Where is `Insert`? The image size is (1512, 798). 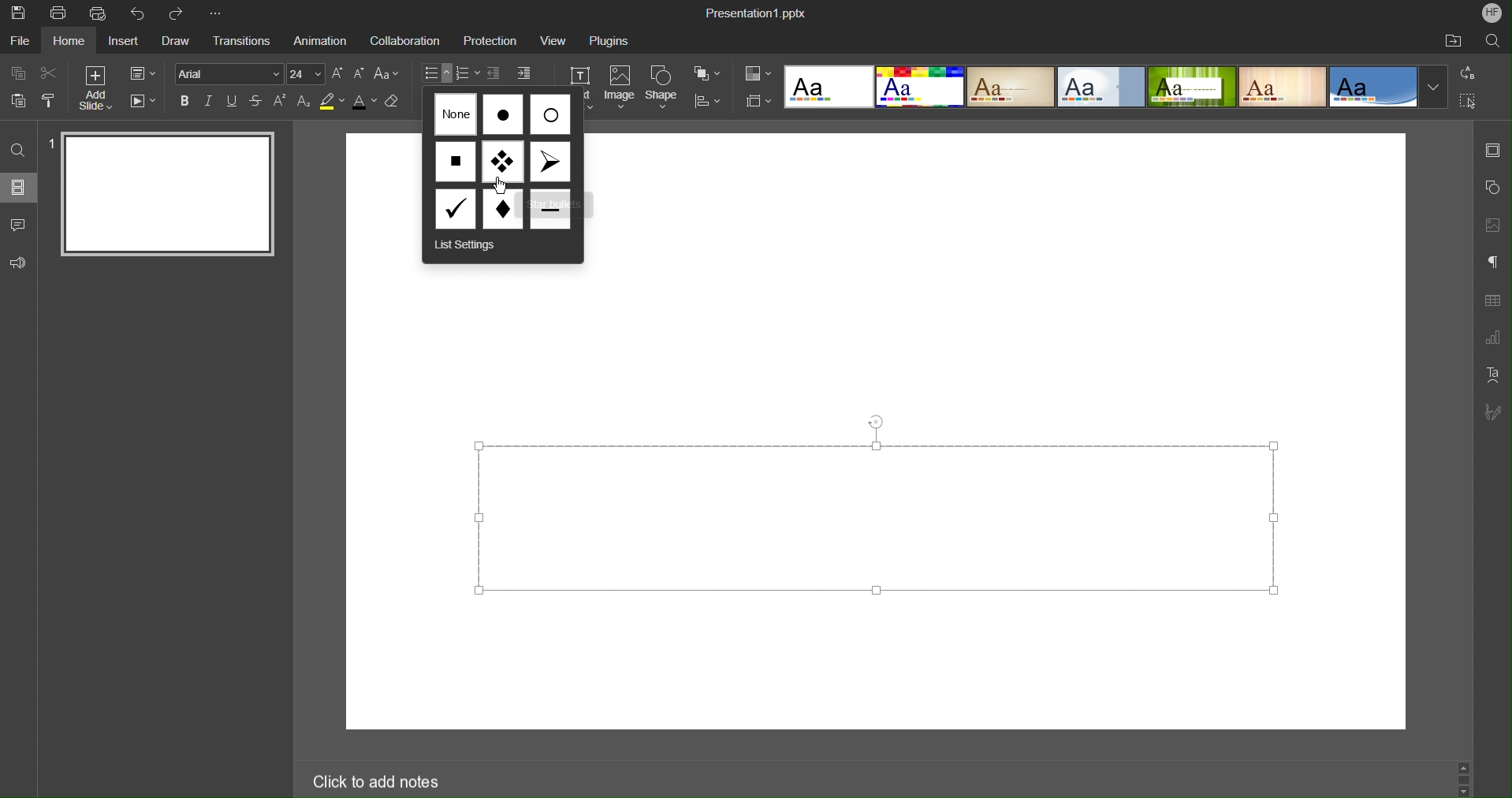
Insert is located at coordinates (125, 41).